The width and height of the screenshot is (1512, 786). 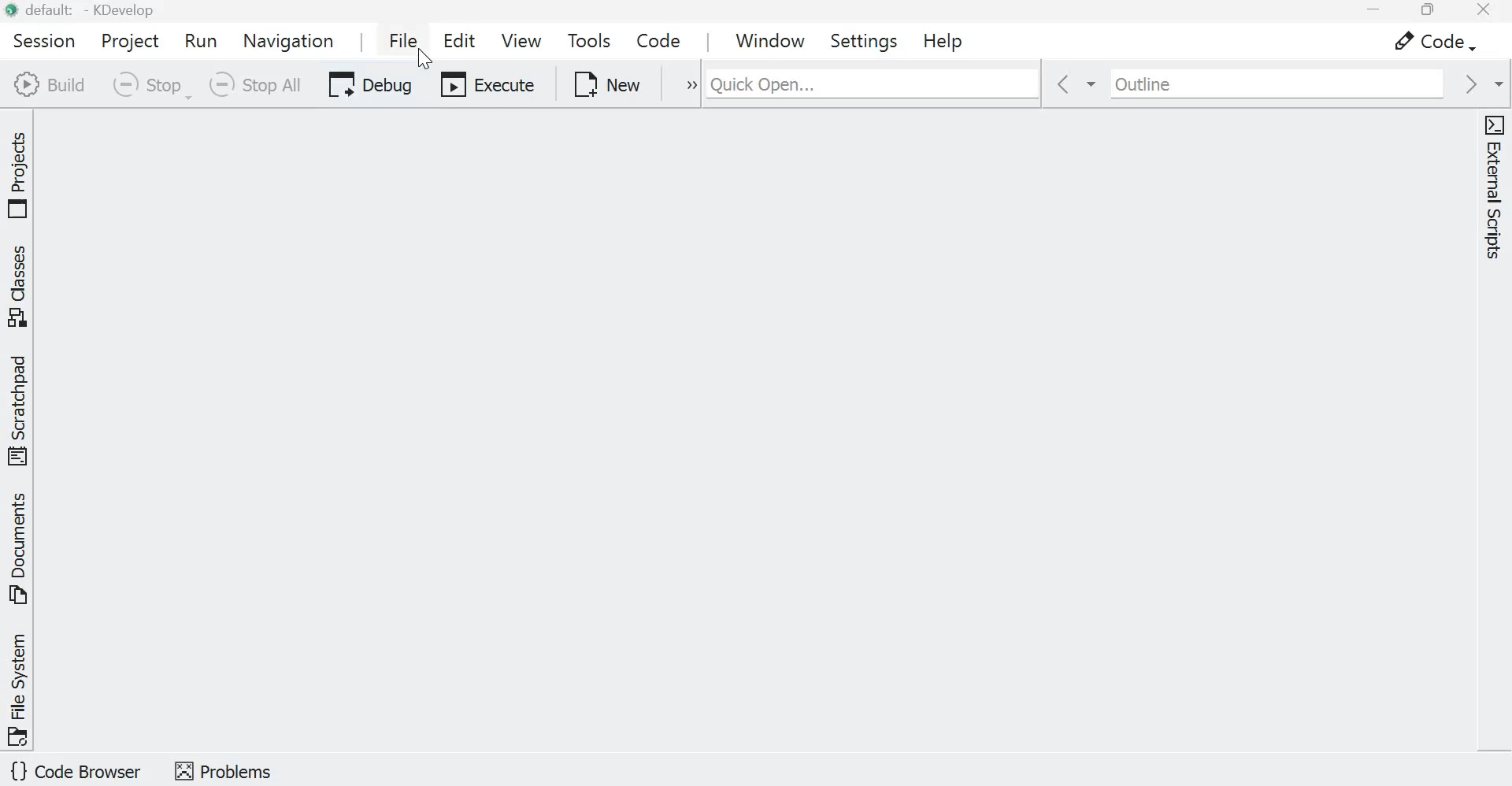 I want to click on Search for files, classes, functions and more, allowing you to quickly navigate in your source code, so click(x=980, y=81).